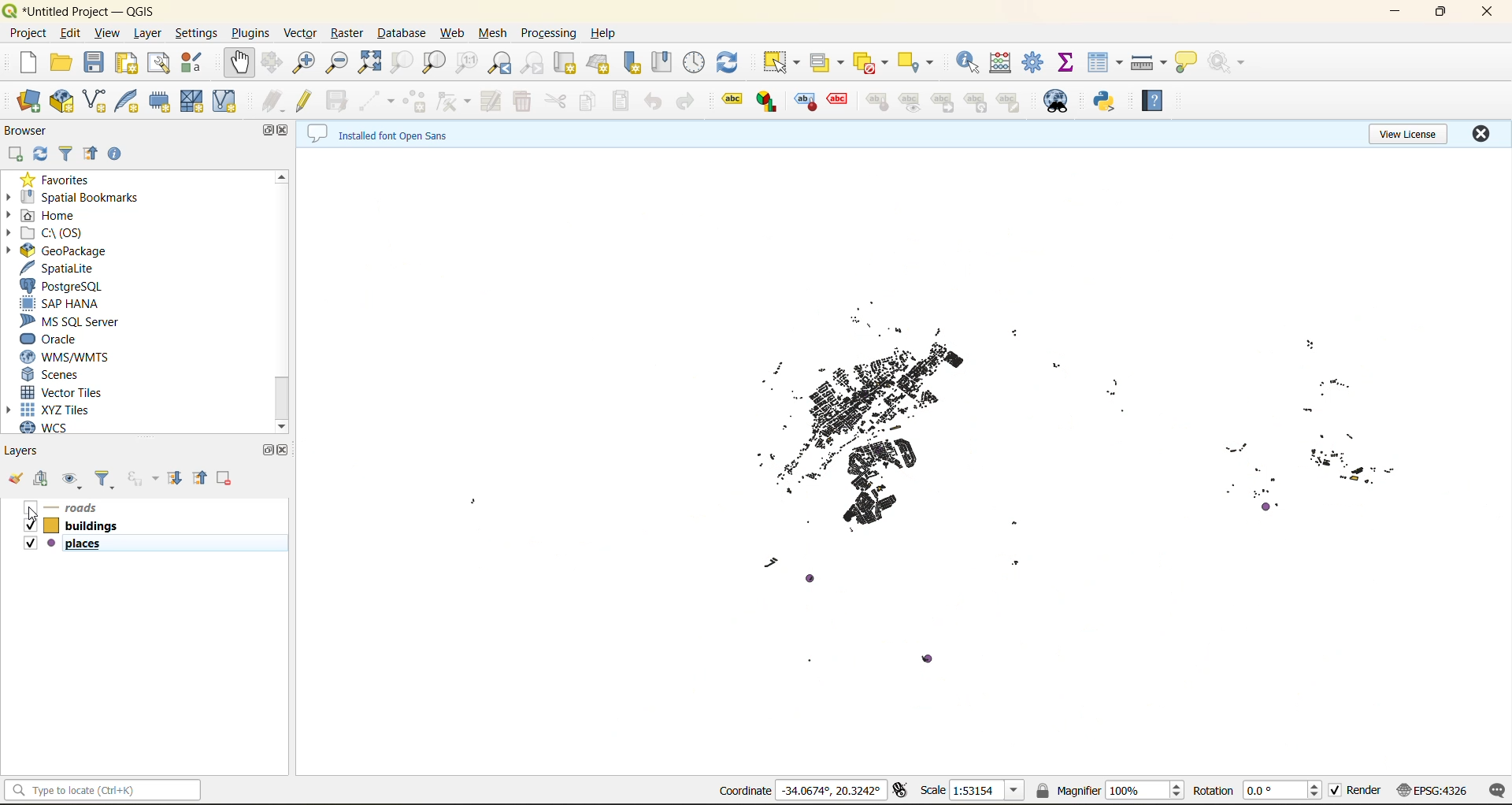  Describe the element at coordinates (1488, 14) in the screenshot. I see `close` at that location.